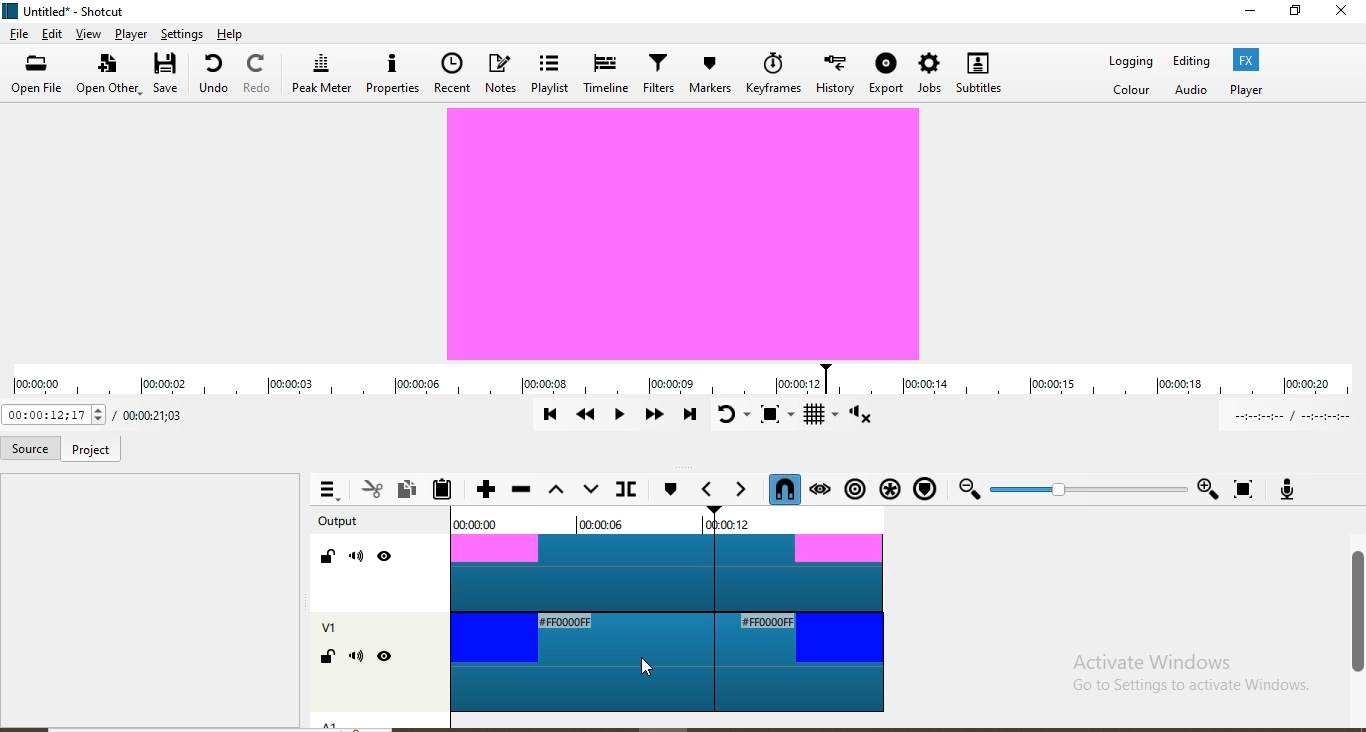 This screenshot has height=732, width=1366. What do you see at coordinates (87, 11) in the screenshot?
I see `file name` at bounding box center [87, 11].